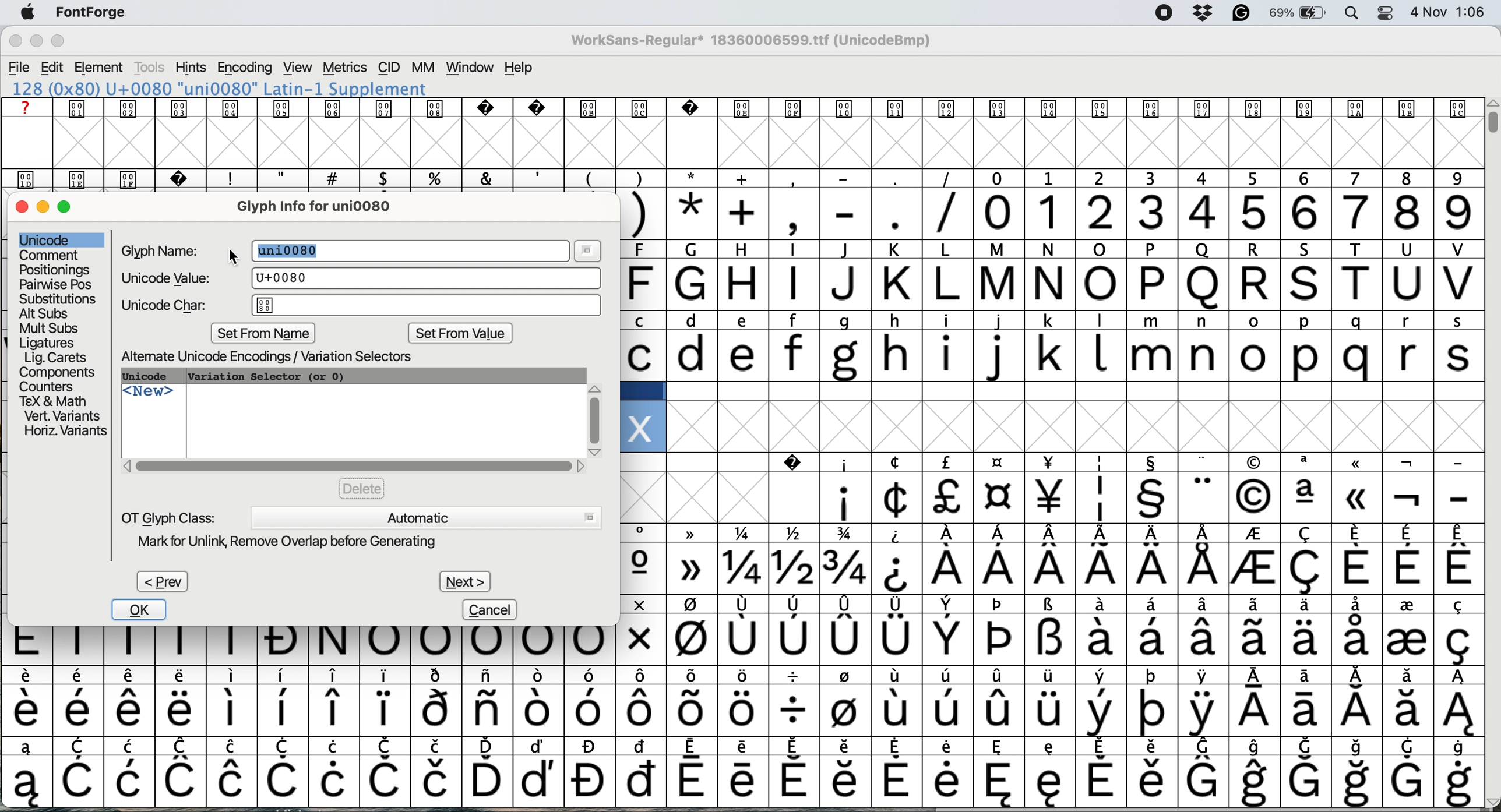 The height and width of the screenshot is (812, 1501). I want to click on pairwise pose, so click(57, 284).